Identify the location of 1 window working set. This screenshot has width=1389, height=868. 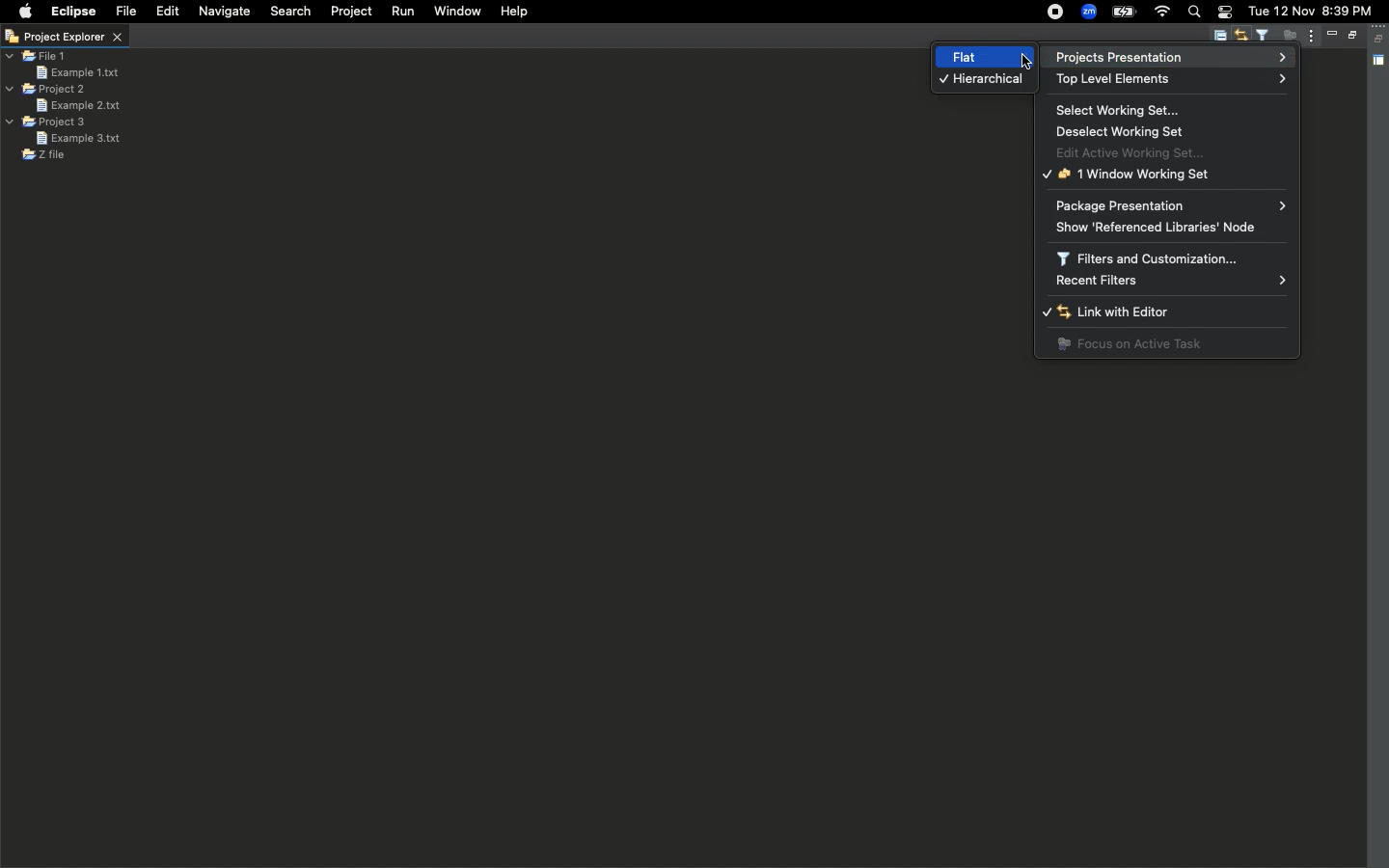
(1130, 175).